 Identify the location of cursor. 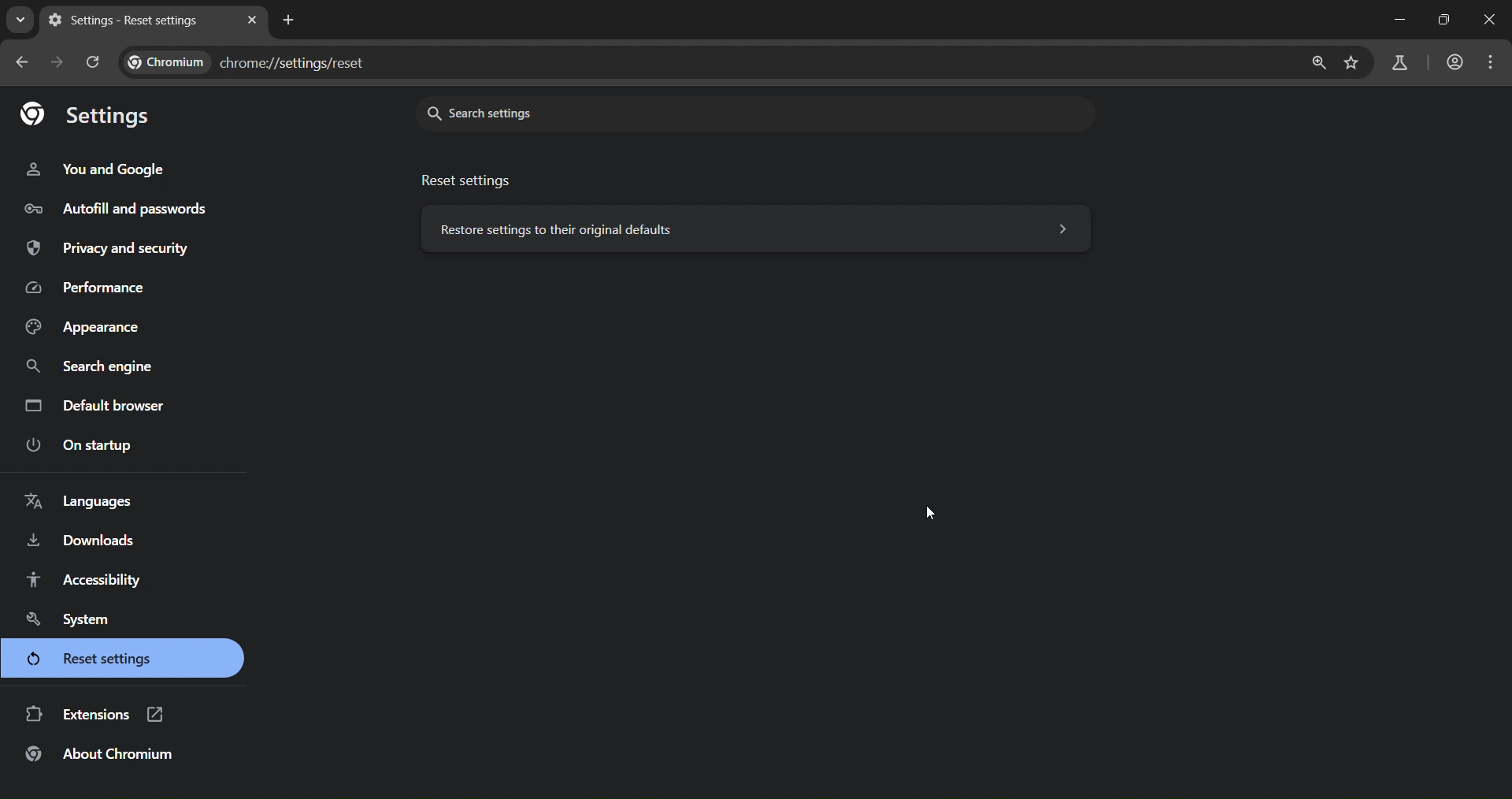
(932, 516).